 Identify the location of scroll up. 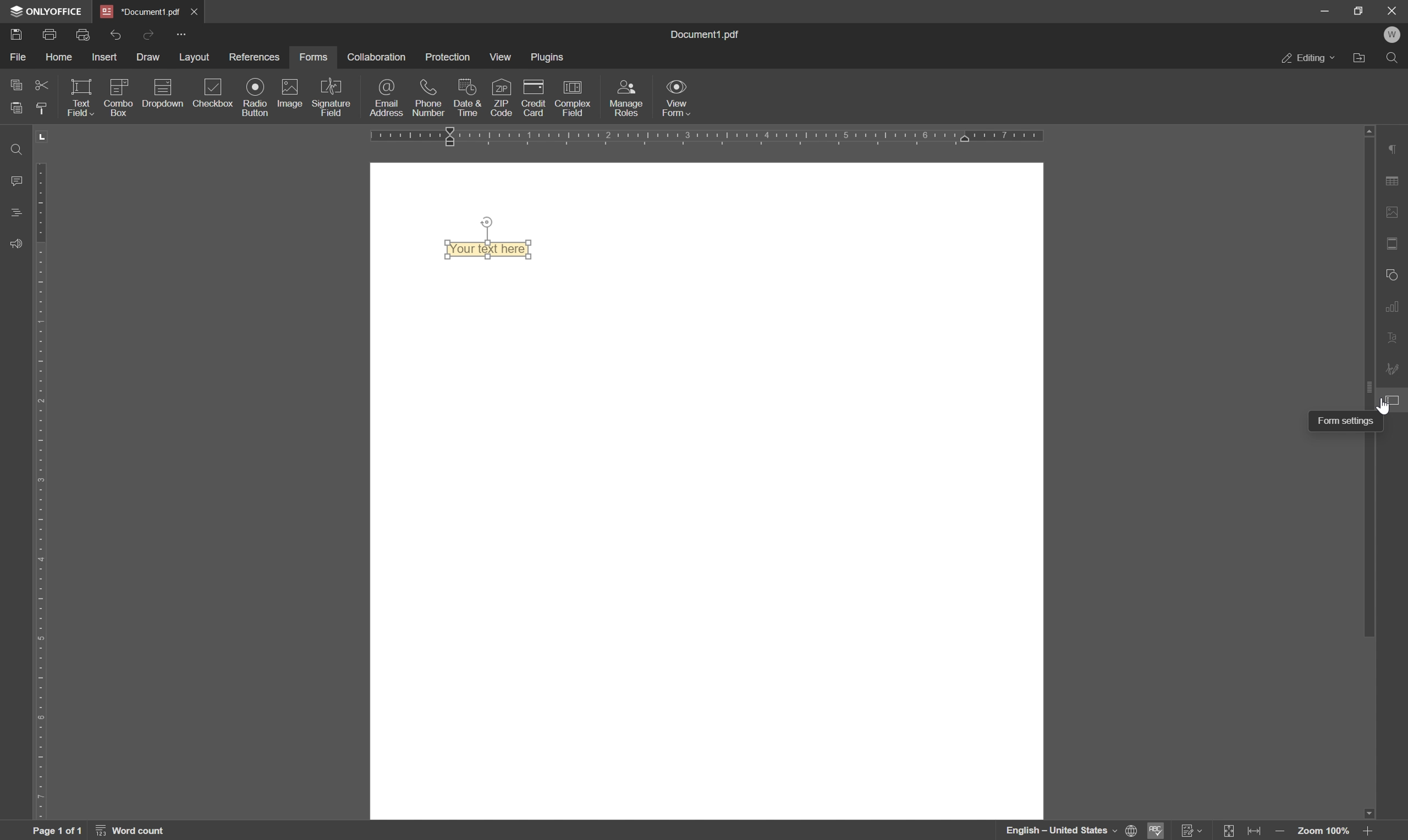
(1368, 128).